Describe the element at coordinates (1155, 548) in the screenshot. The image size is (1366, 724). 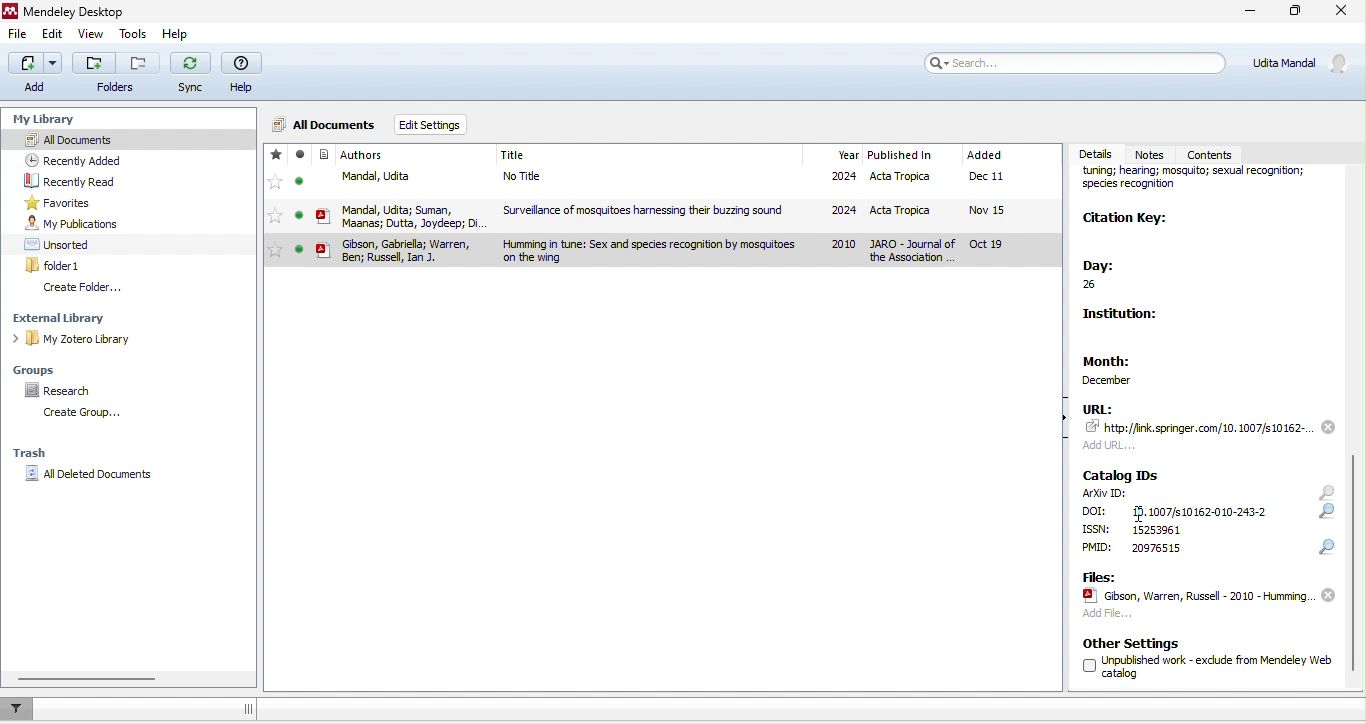
I see `text` at that location.